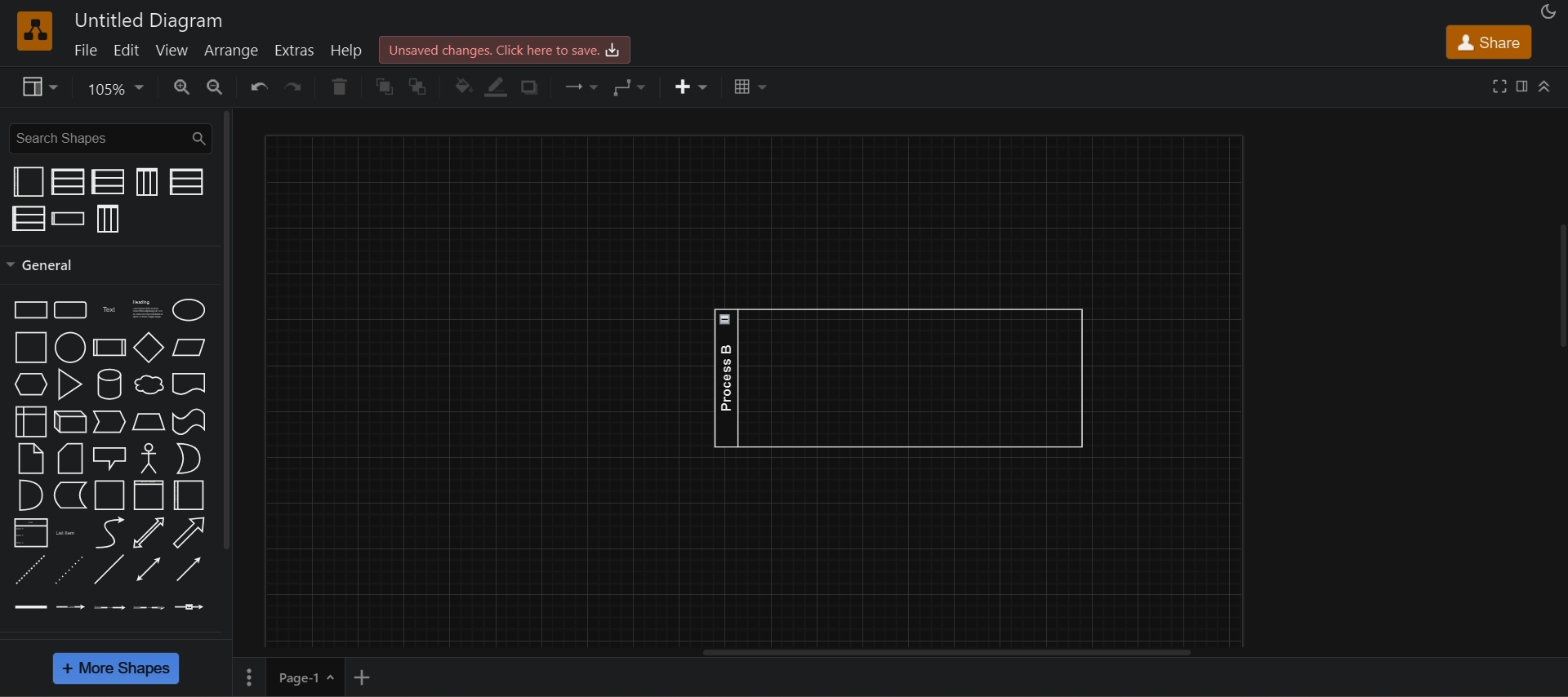 Image resolution: width=1568 pixels, height=697 pixels. What do you see at coordinates (230, 50) in the screenshot?
I see `arrange` at bounding box center [230, 50].